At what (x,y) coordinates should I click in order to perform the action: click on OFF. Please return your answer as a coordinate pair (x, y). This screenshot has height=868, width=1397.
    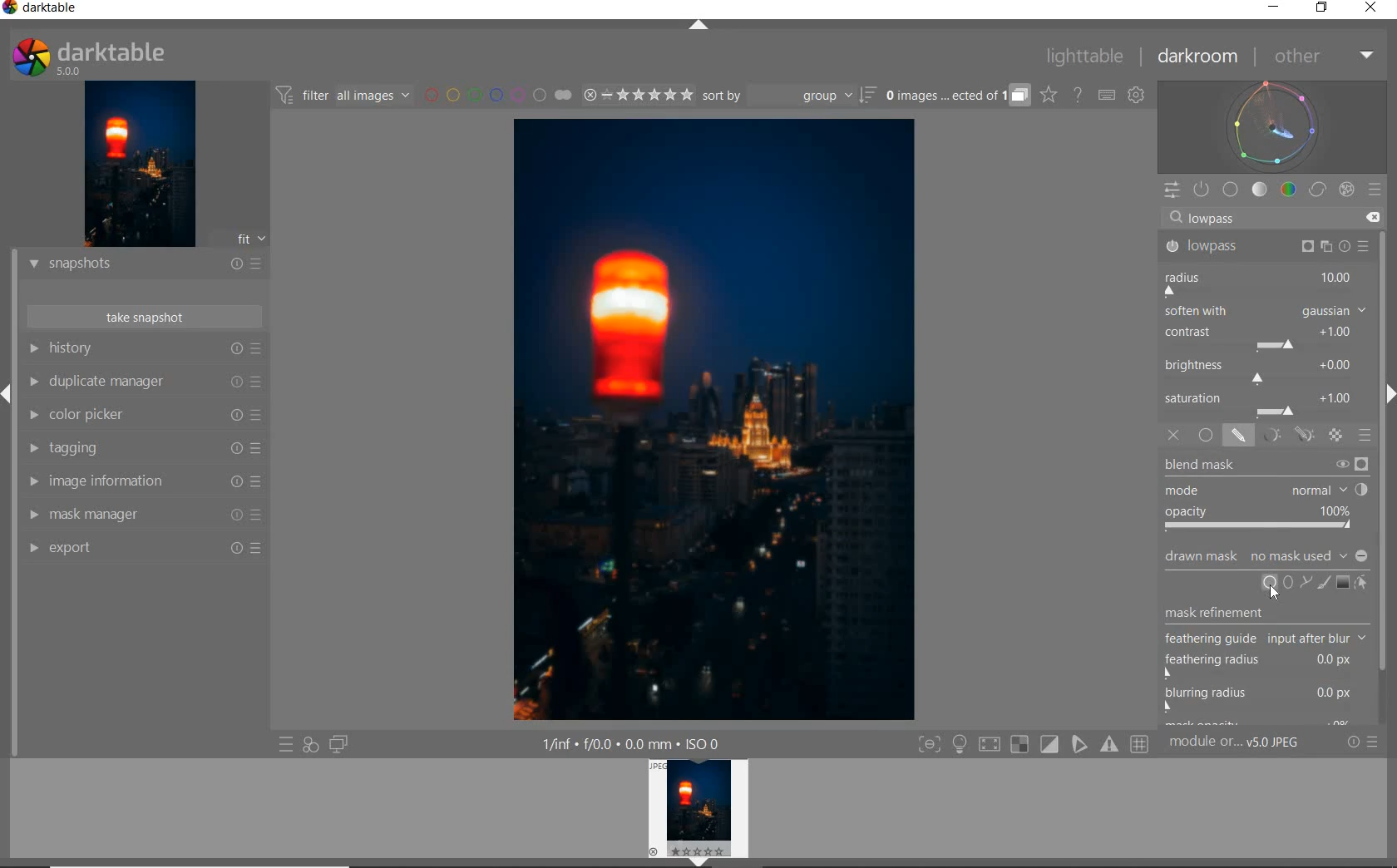
    Looking at the image, I should click on (1173, 436).